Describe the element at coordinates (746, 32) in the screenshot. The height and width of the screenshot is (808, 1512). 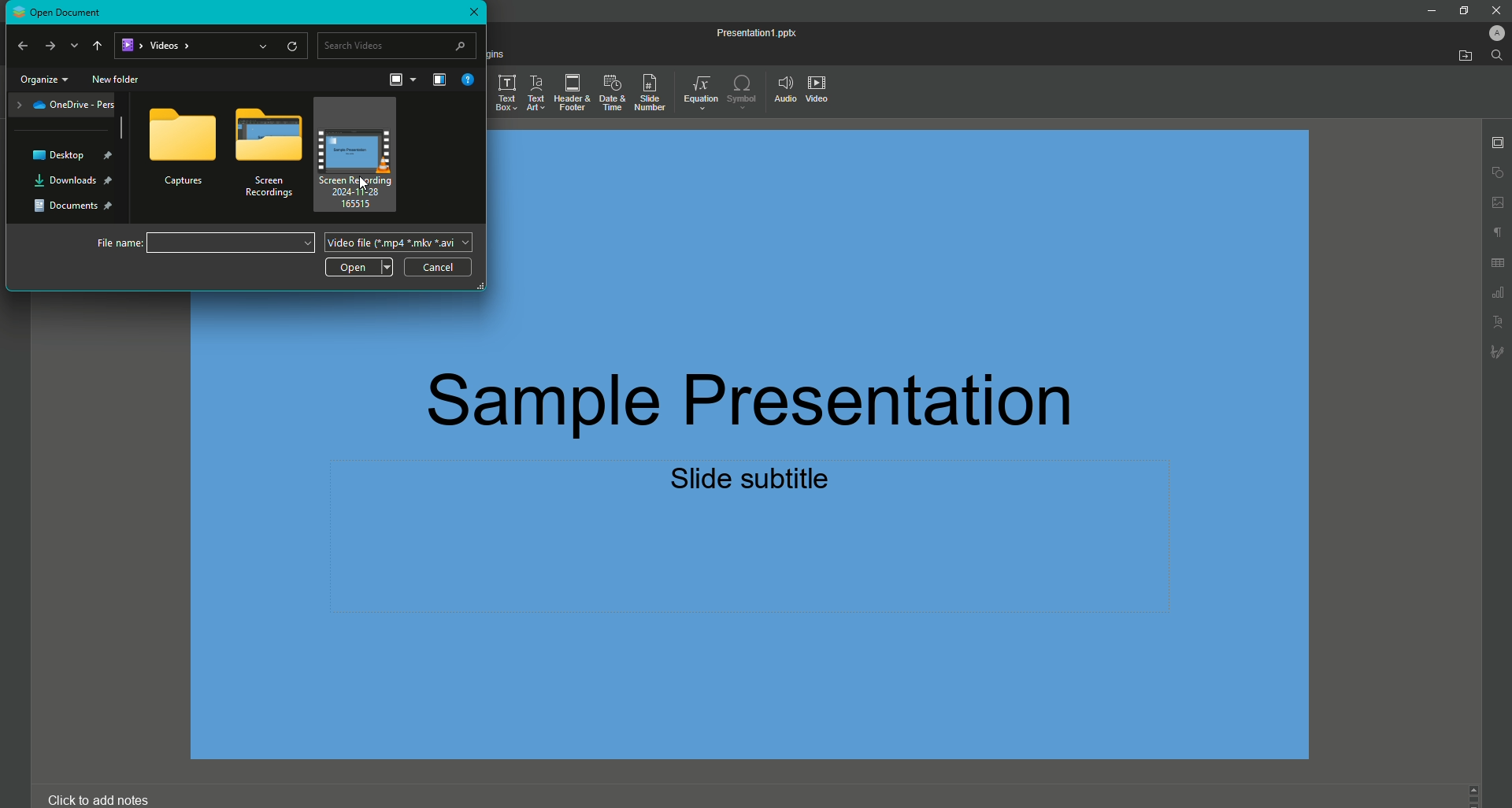
I see `Presentation 1` at that location.